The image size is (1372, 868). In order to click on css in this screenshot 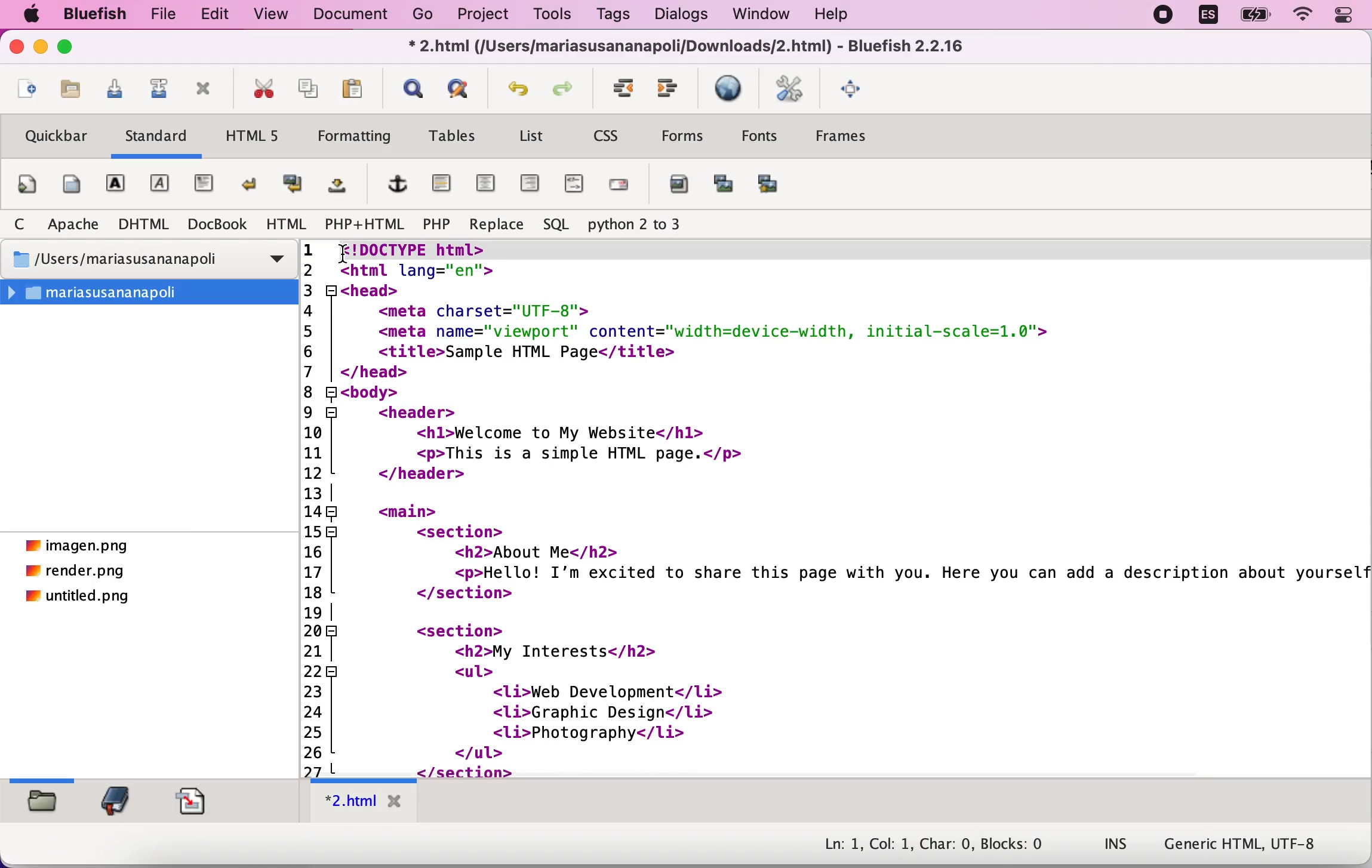, I will do `click(612, 140)`.